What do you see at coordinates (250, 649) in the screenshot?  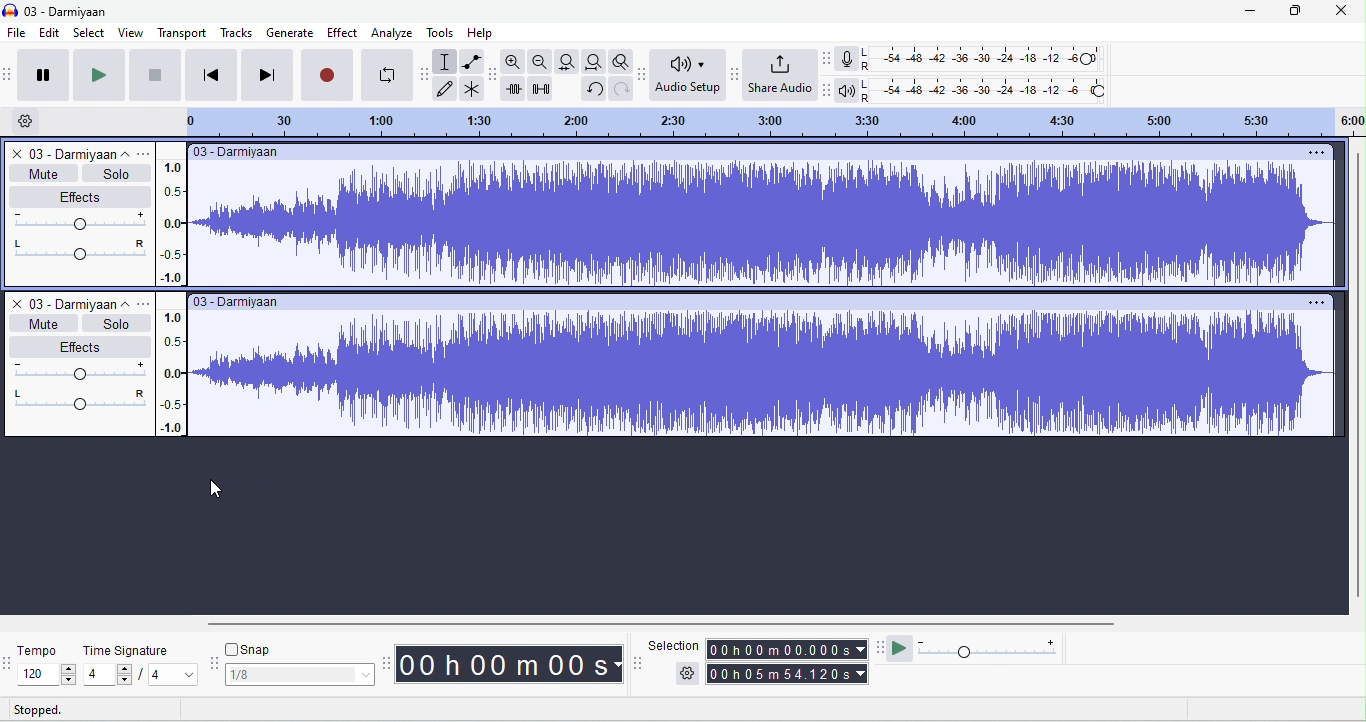 I see `snap` at bounding box center [250, 649].